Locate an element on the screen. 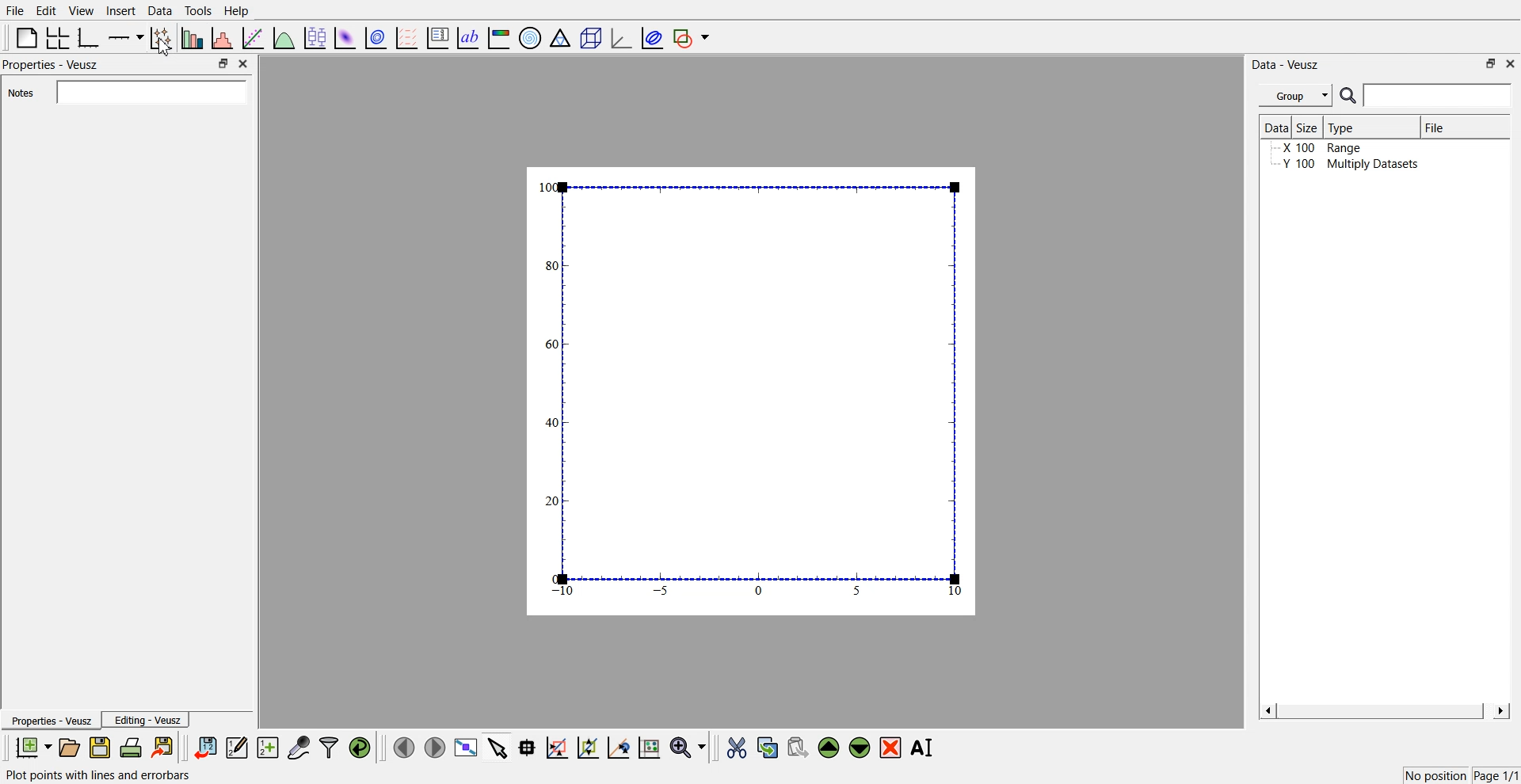 The height and width of the screenshot is (784, 1521). read data points is located at coordinates (527, 748).